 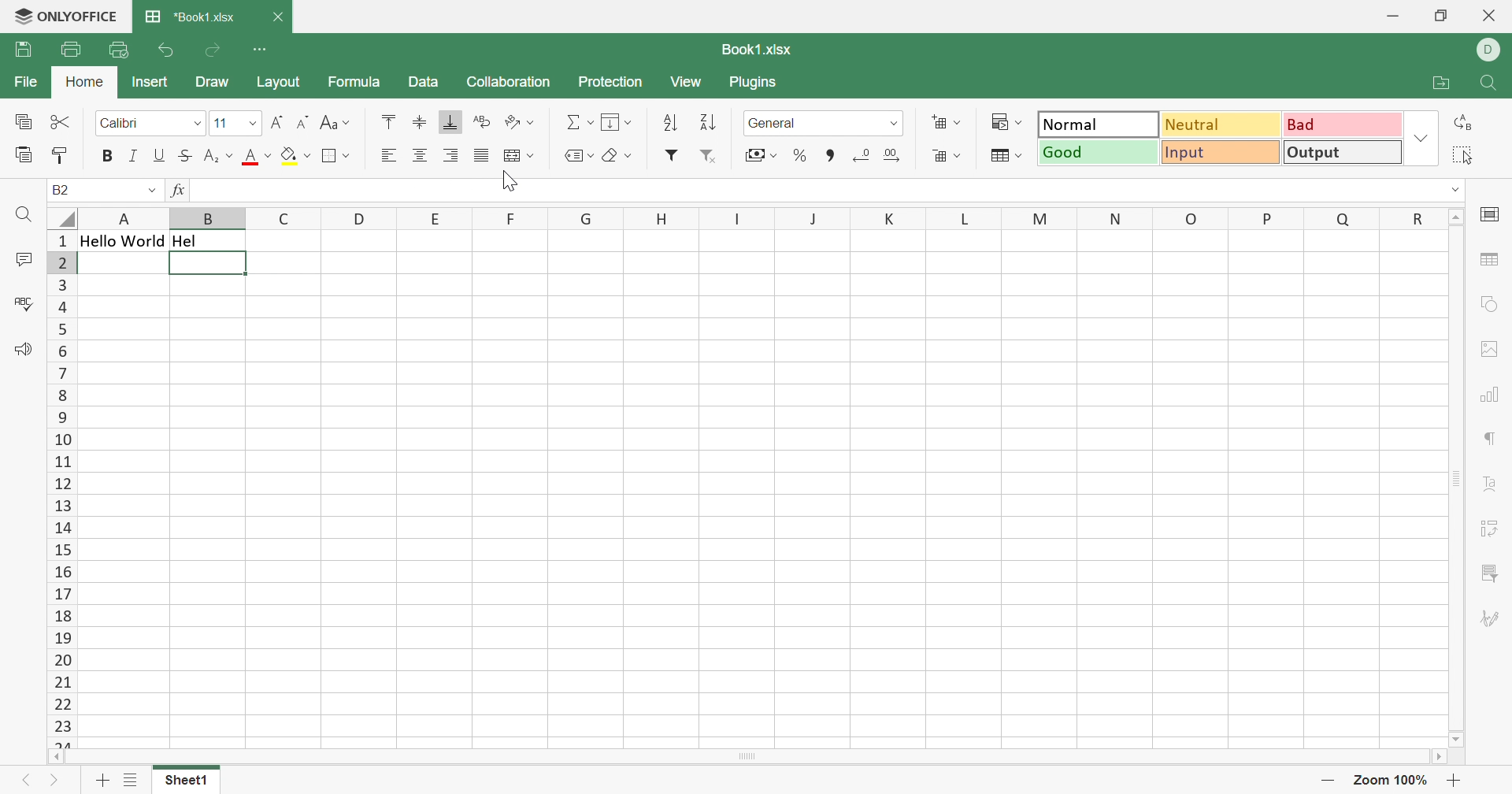 I want to click on Strilethrough, so click(x=183, y=155).